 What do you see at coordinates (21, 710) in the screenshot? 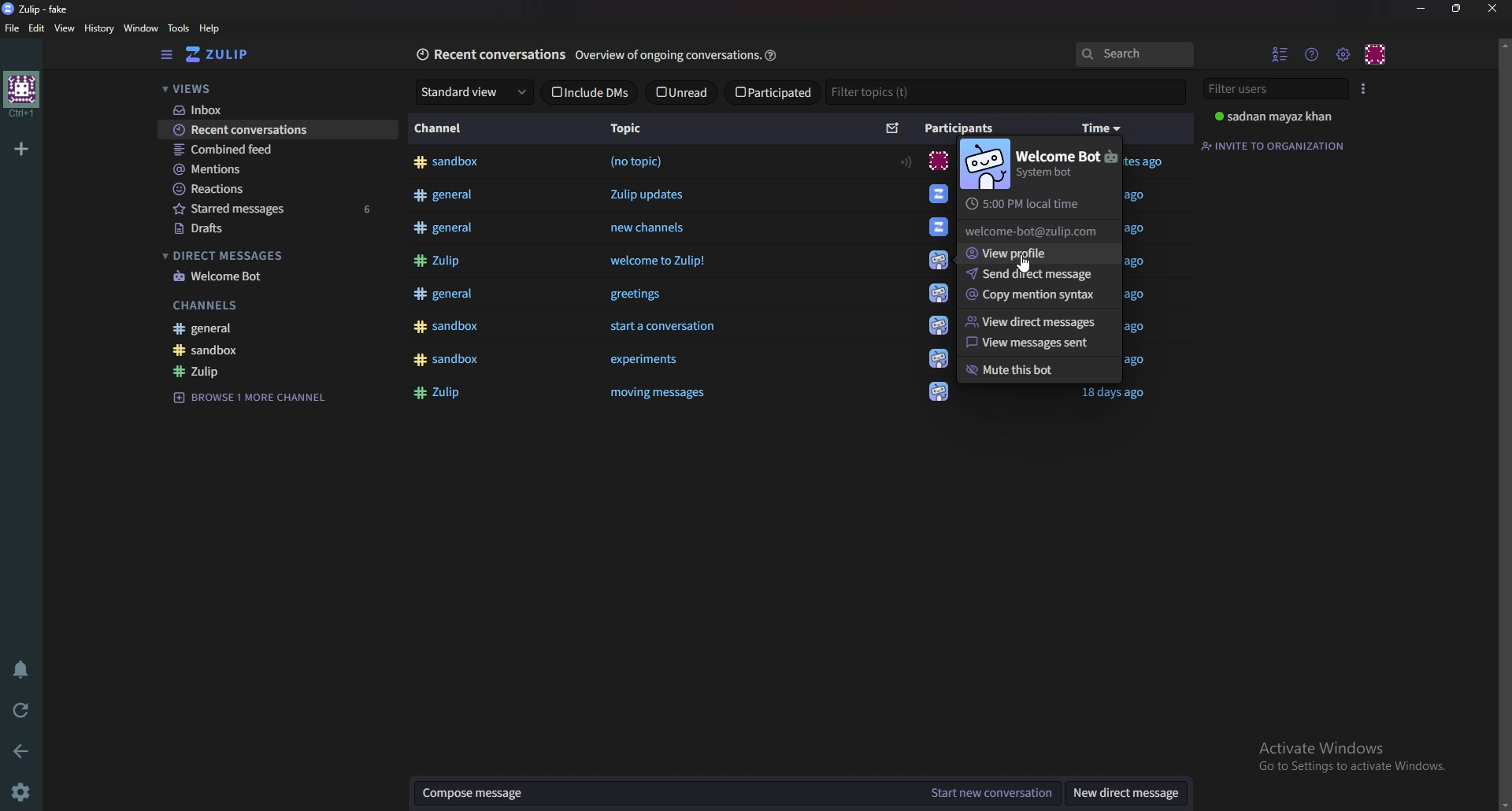
I see `Reload` at bounding box center [21, 710].